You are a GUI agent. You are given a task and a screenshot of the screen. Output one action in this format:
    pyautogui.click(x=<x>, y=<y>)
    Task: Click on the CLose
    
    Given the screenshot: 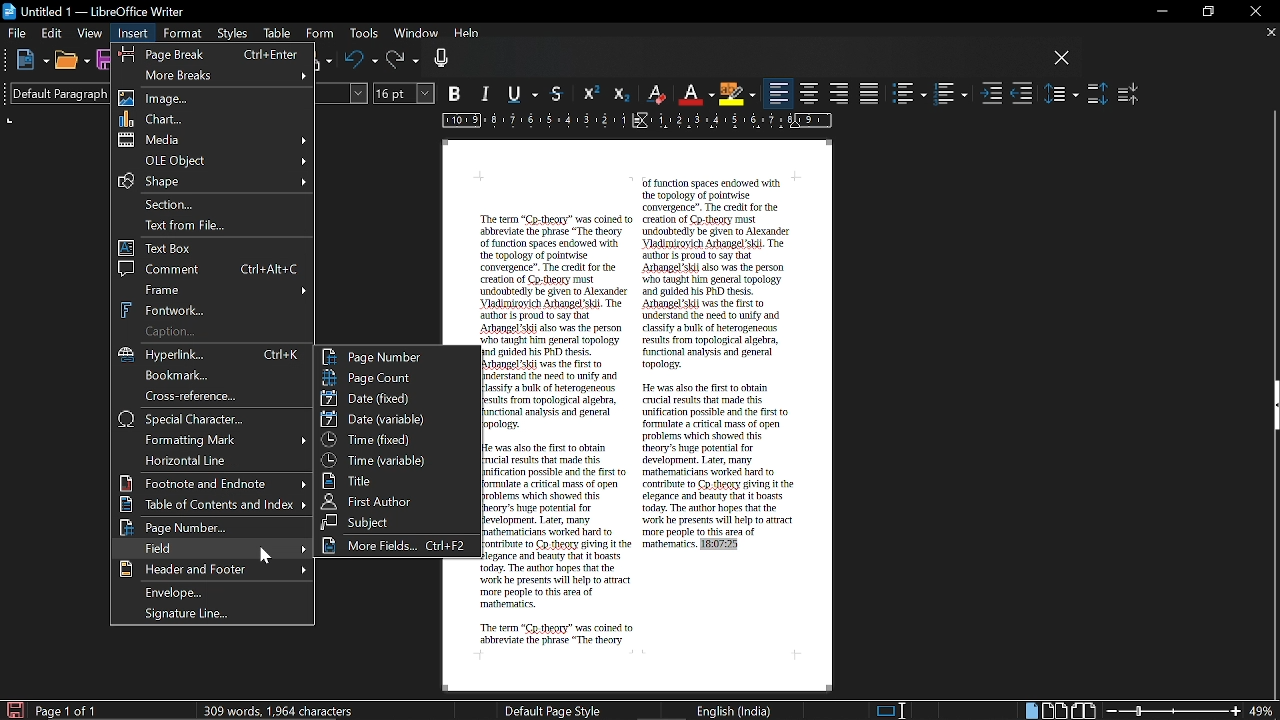 What is the action you would take?
    pyautogui.click(x=1062, y=59)
    